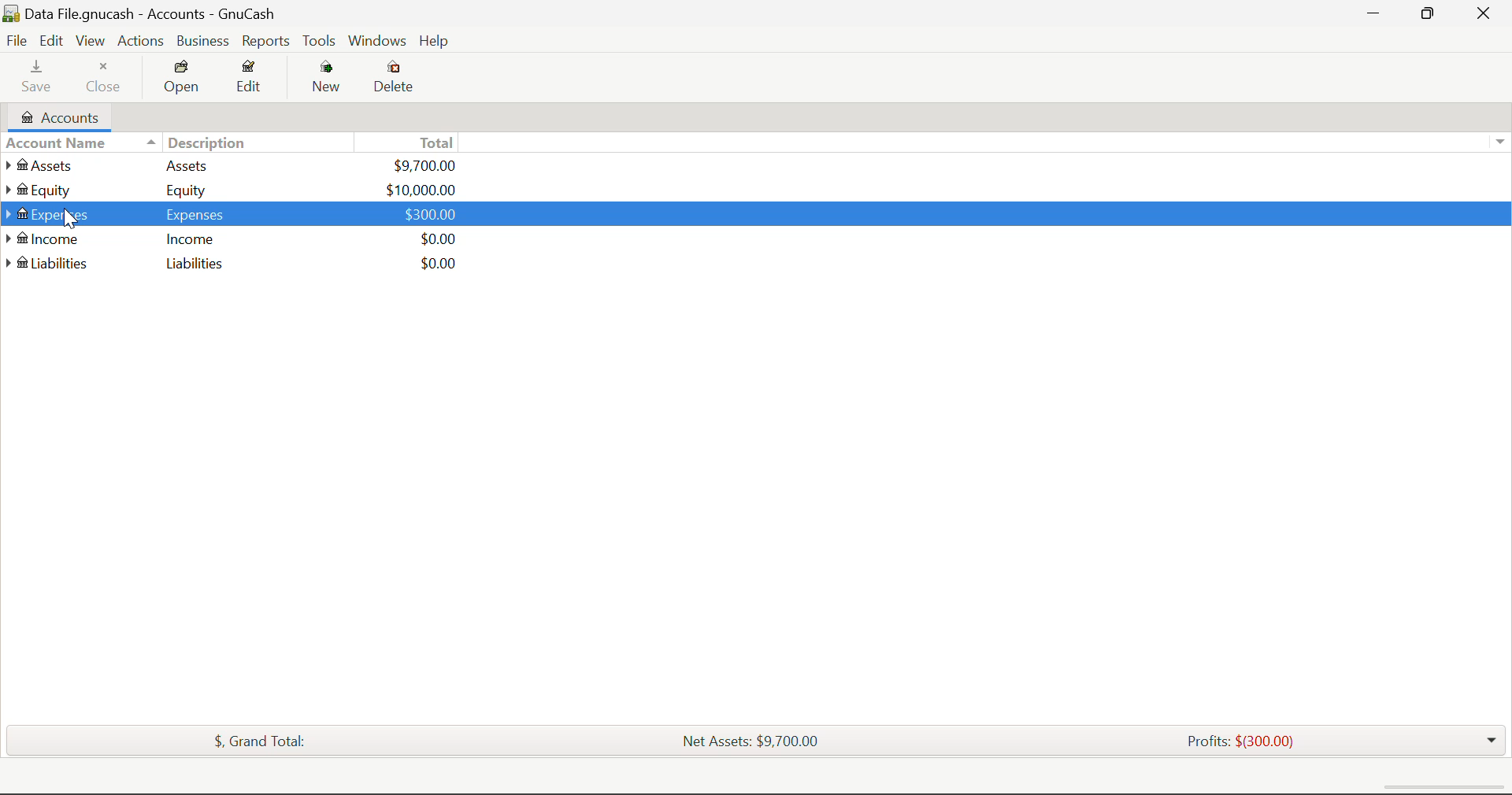 This screenshot has height=795, width=1512. I want to click on Data File.gnucash - Accounts - Gnucash, so click(156, 15).